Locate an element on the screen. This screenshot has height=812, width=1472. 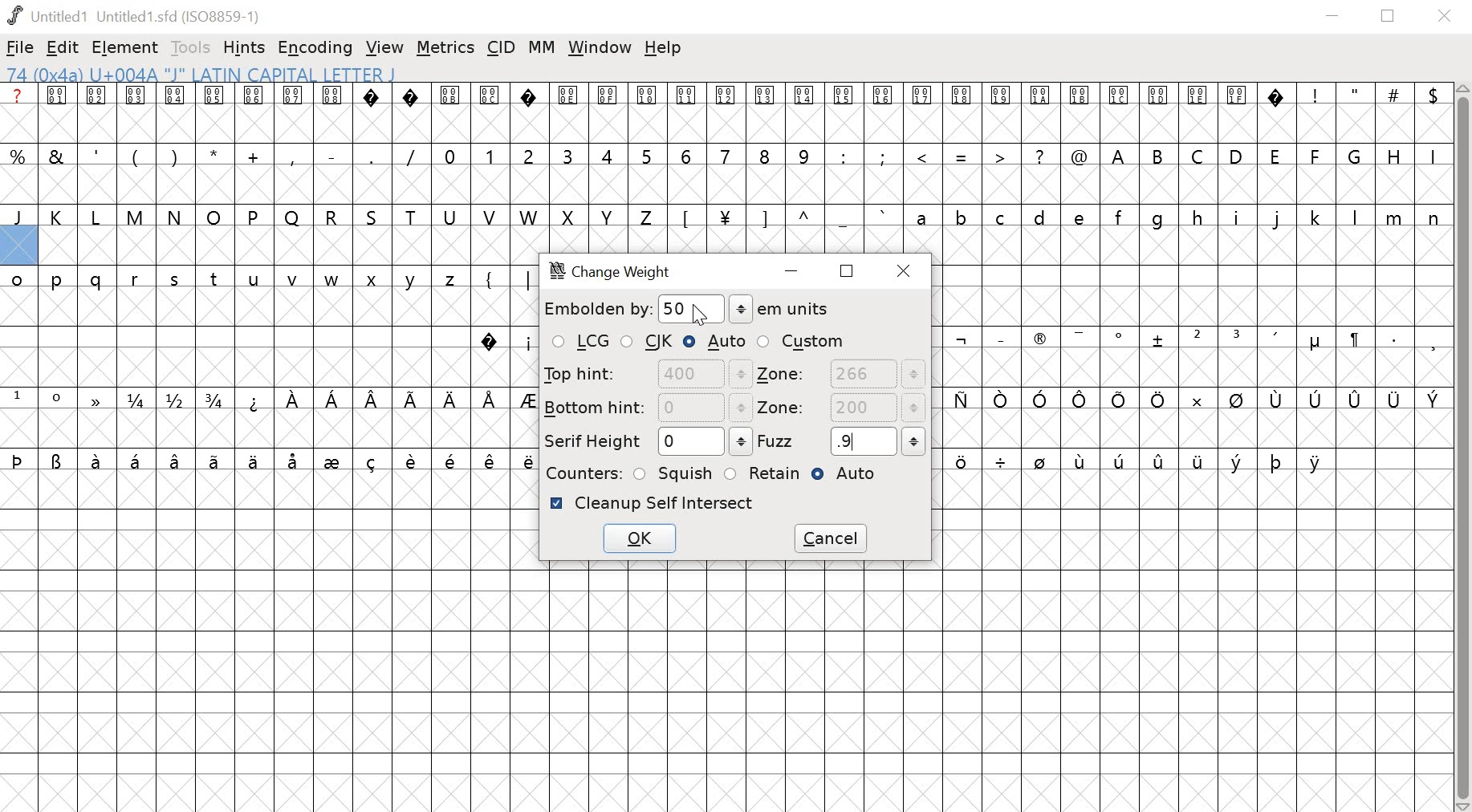
COUNTERS is located at coordinates (581, 473).